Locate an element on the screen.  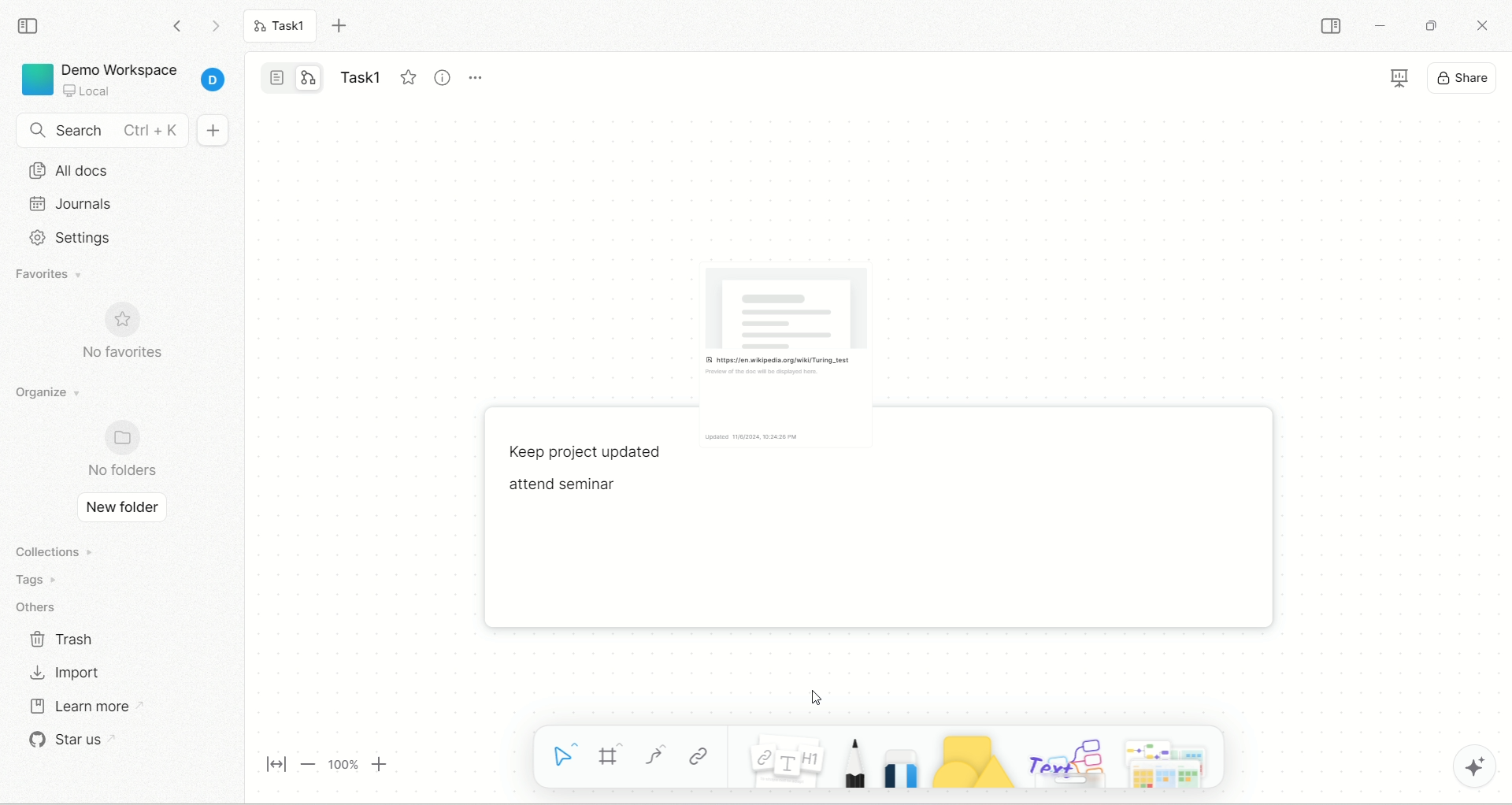
select is located at coordinates (559, 756).